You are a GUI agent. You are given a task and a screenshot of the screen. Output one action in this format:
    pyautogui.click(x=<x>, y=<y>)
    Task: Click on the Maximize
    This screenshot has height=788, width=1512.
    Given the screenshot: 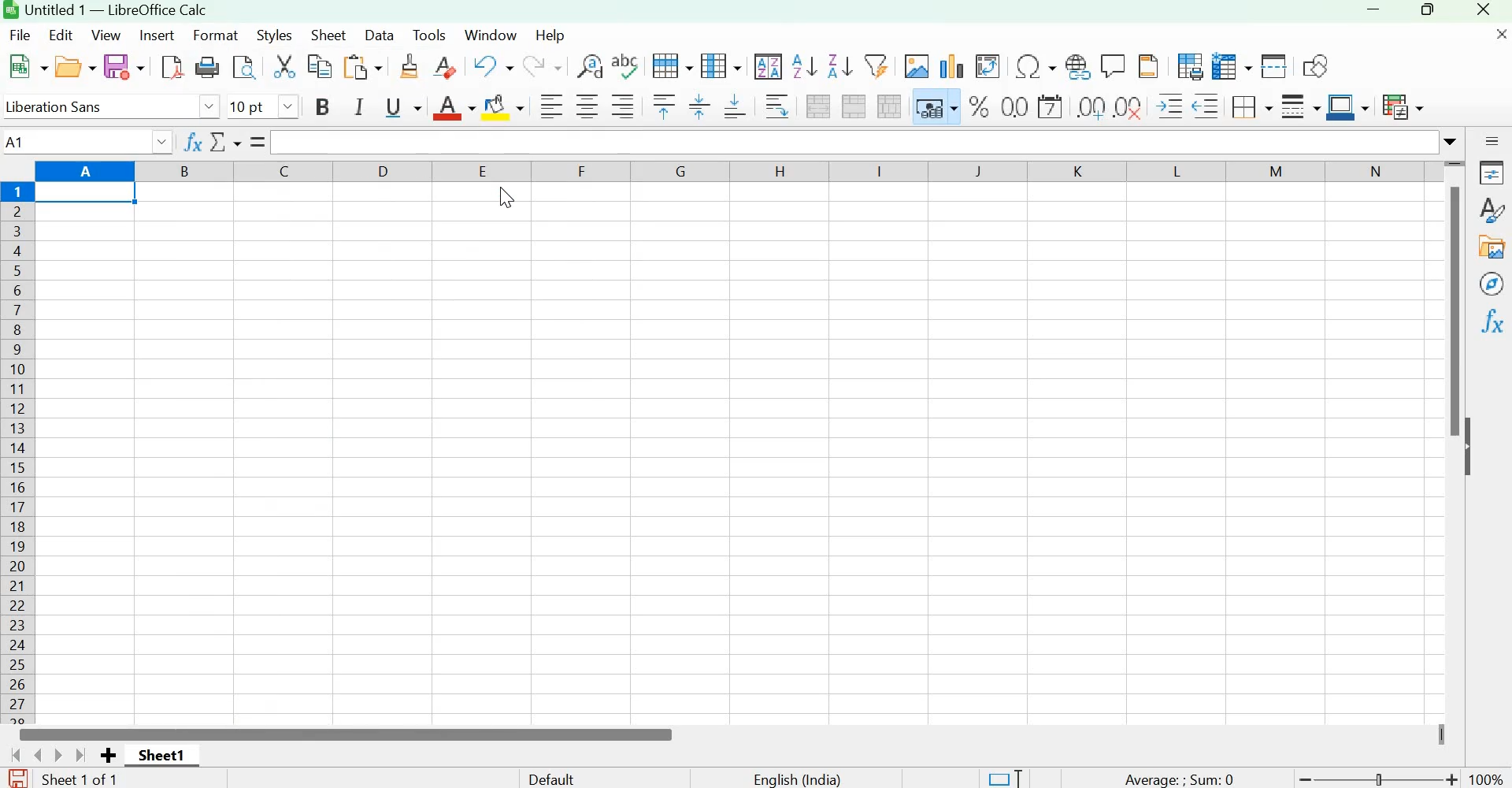 What is the action you would take?
    pyautogui.click(x=1426, y=13)
    